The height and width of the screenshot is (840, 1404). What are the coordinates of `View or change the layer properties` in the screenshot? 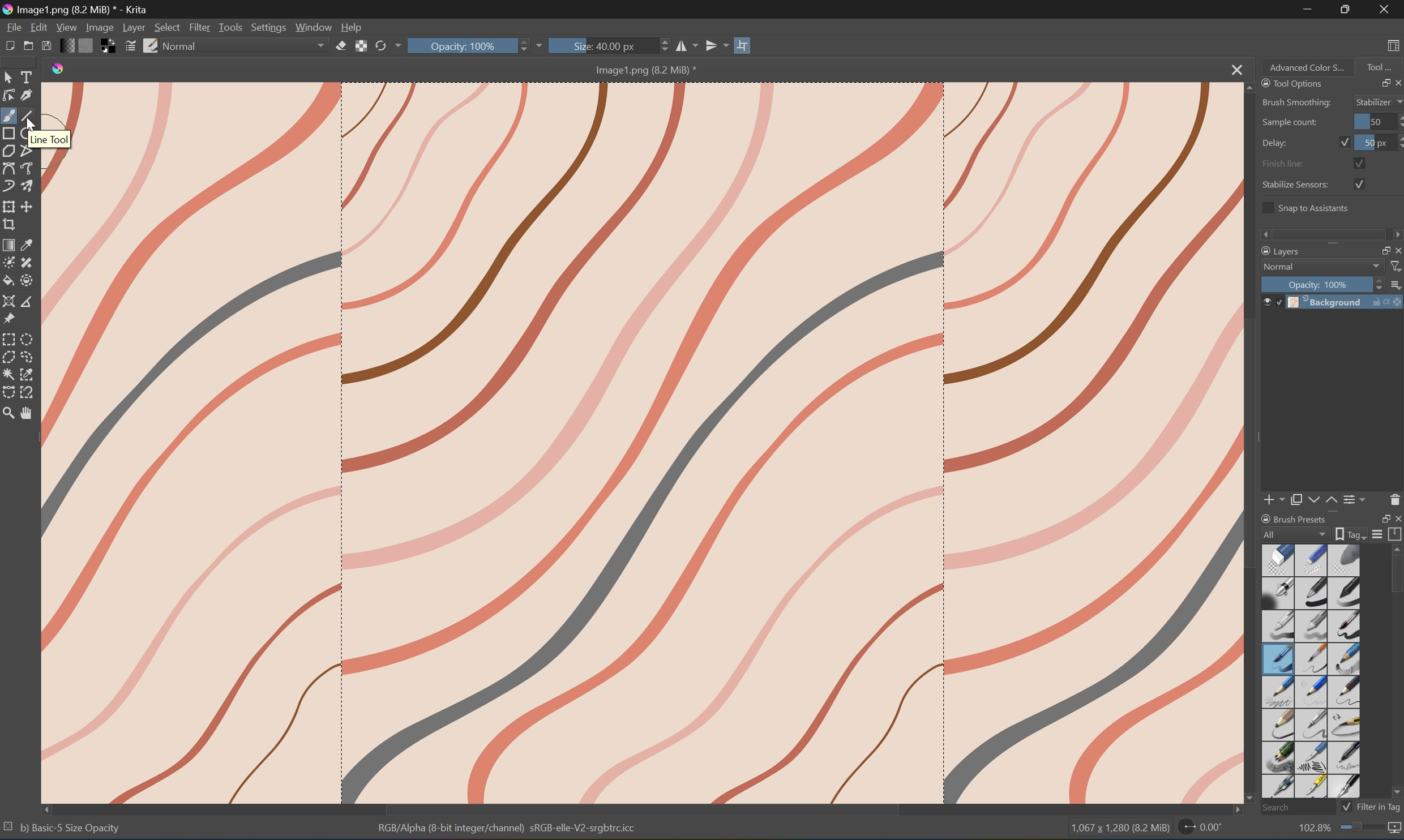 It's located at (1356, 498).